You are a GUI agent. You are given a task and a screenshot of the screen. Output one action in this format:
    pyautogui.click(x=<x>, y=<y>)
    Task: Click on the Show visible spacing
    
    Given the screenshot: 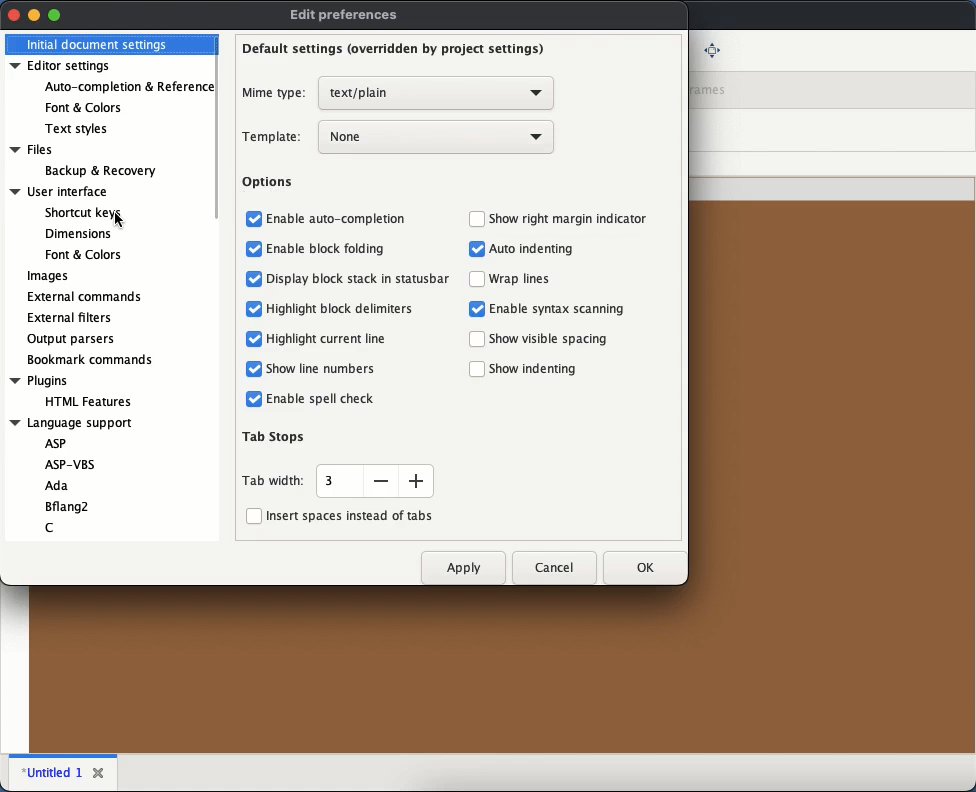 What is the action you would take?
    pyautogui.click(x=551, y=337)
    